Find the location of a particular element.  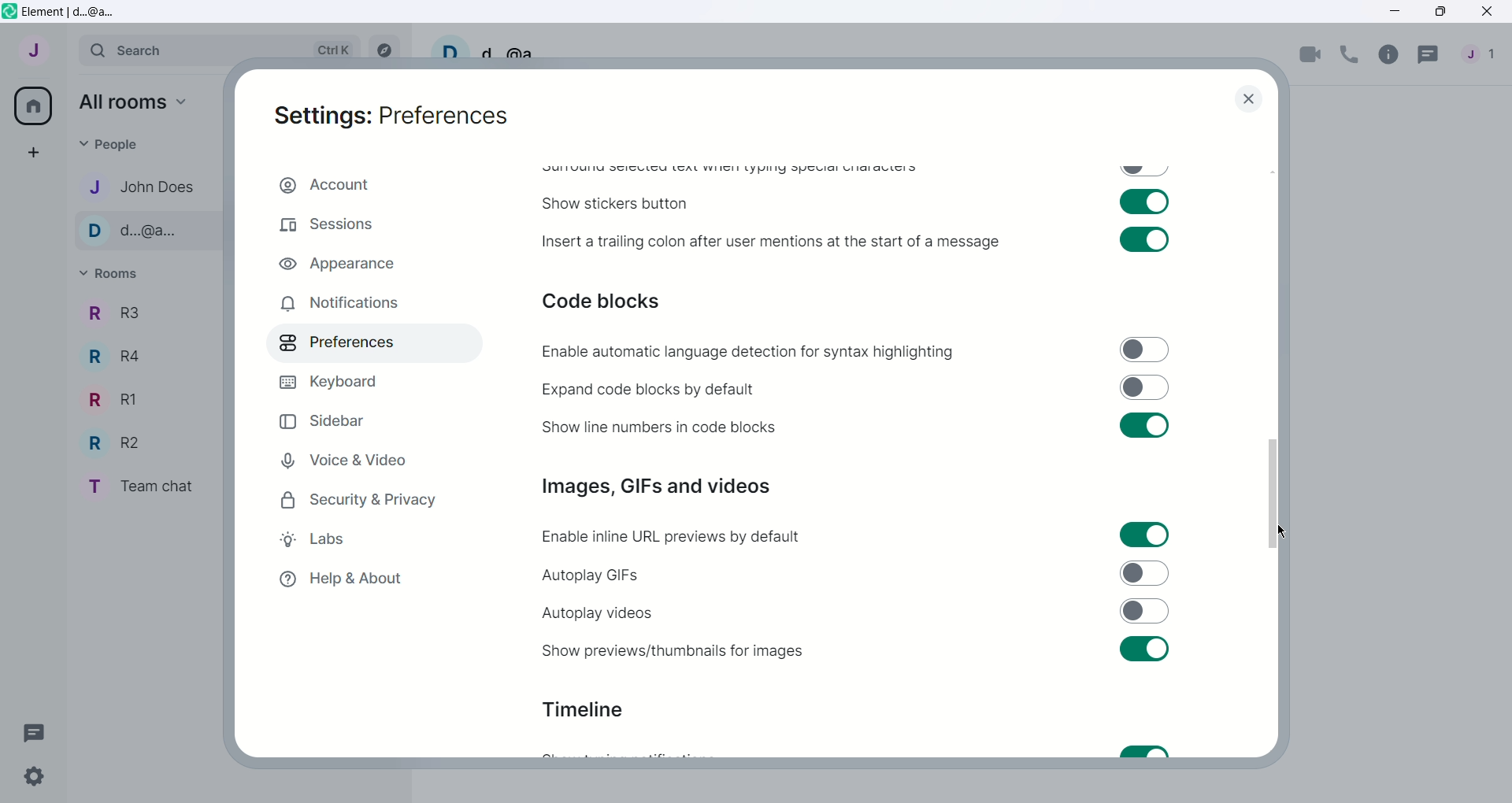

Team chat - room name is located at coordinates (148, 486).